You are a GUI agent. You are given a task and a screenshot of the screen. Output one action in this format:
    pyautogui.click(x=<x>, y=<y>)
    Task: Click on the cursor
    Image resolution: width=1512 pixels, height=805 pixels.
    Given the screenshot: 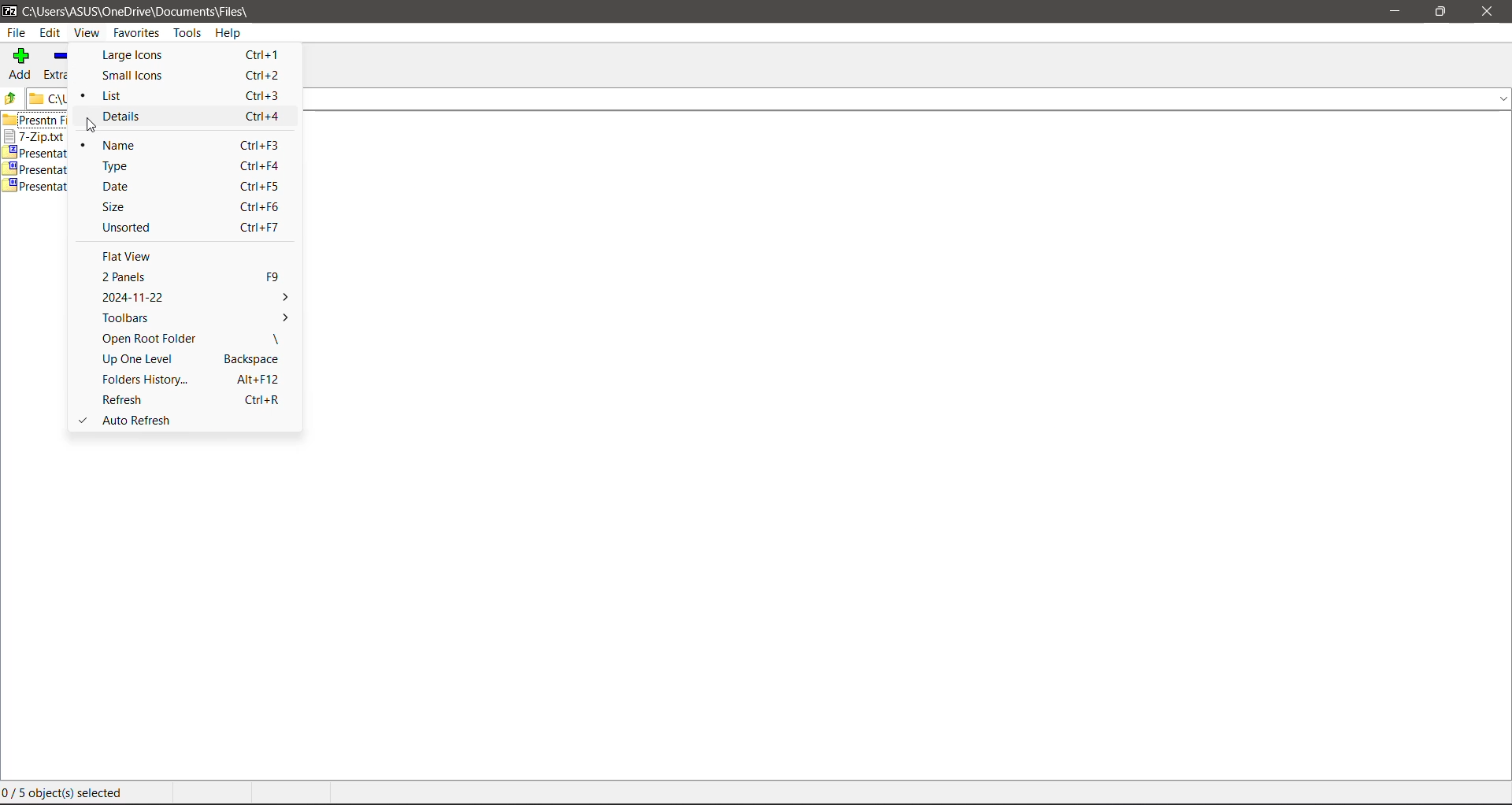 What is the action you would take?
    pyautogui.click(x=95, y=128)
    